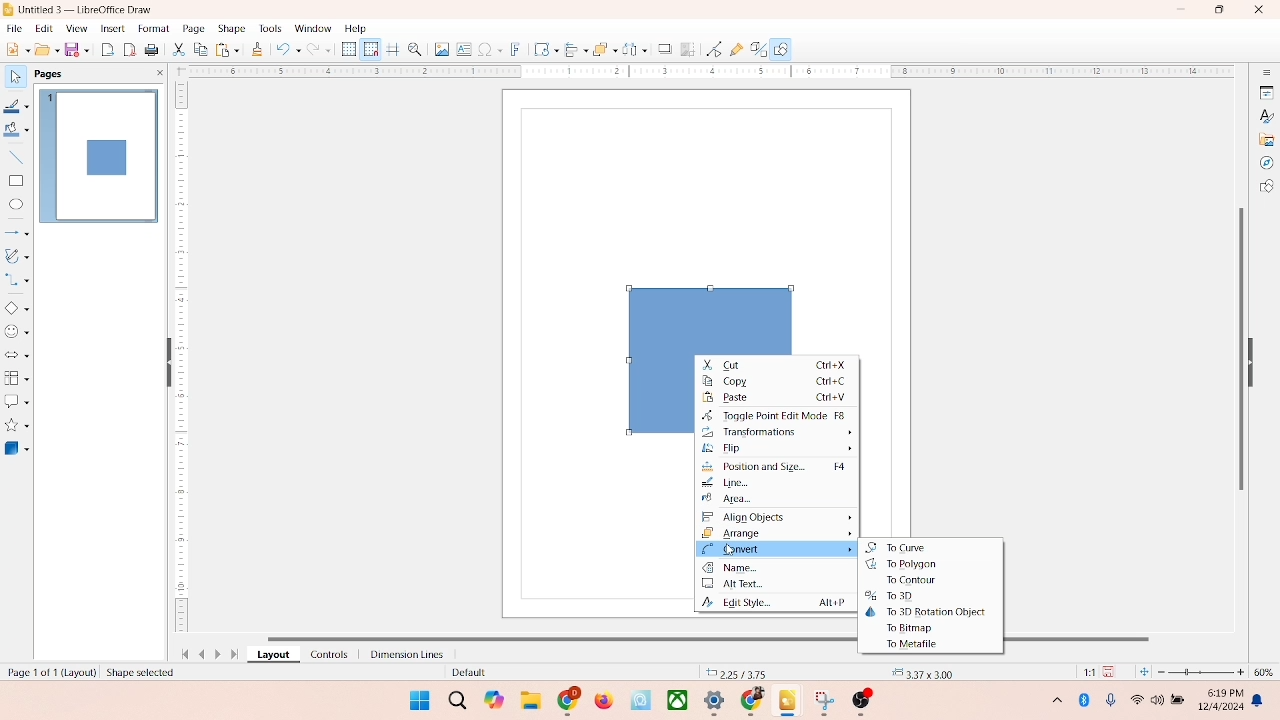 This screenshot has width=1280, height=720. What do you see at coordinates (688, 49) in the screenshot?
I see `crop image` at bounding box center [688, 49].